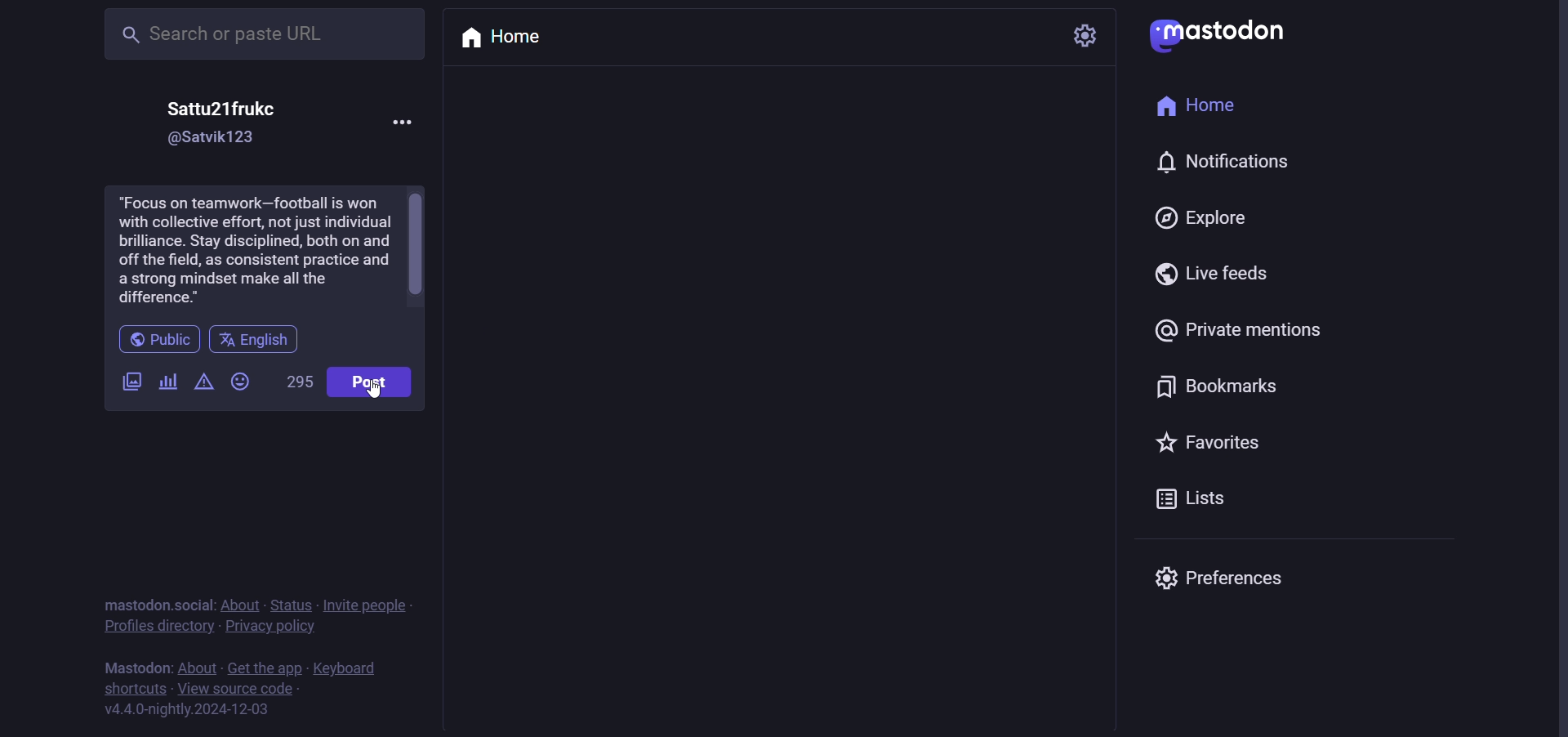 The image size is (1568, 737). What do you see at coordinates (376, 396) in the screenshot?
I see `cursor` at bounding box center [376, 396].